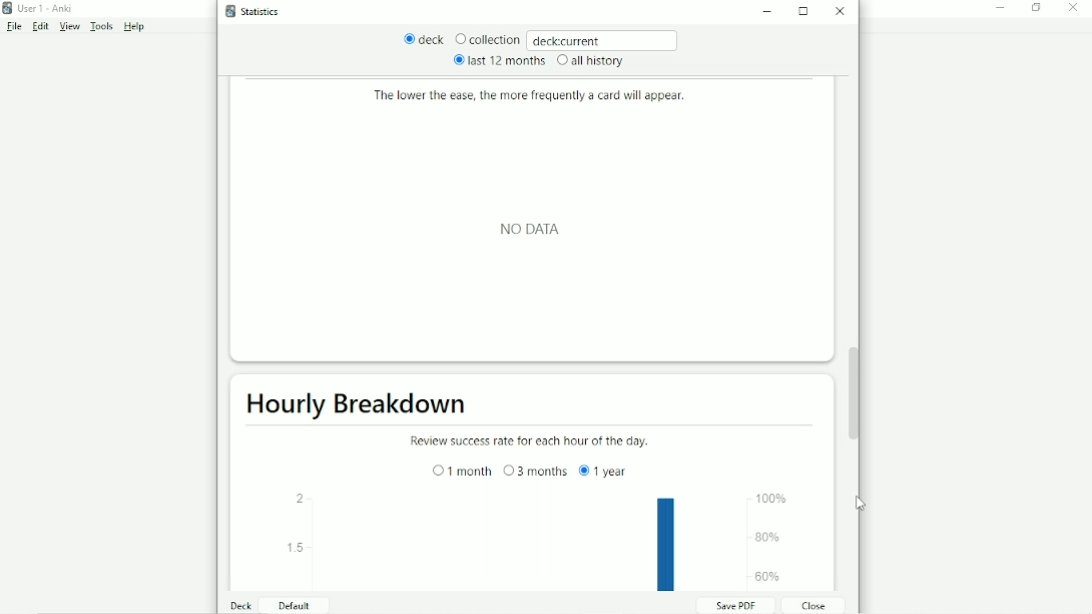 The image size is (1092, 614). I want to click on NO DATA, so click(537, 230).